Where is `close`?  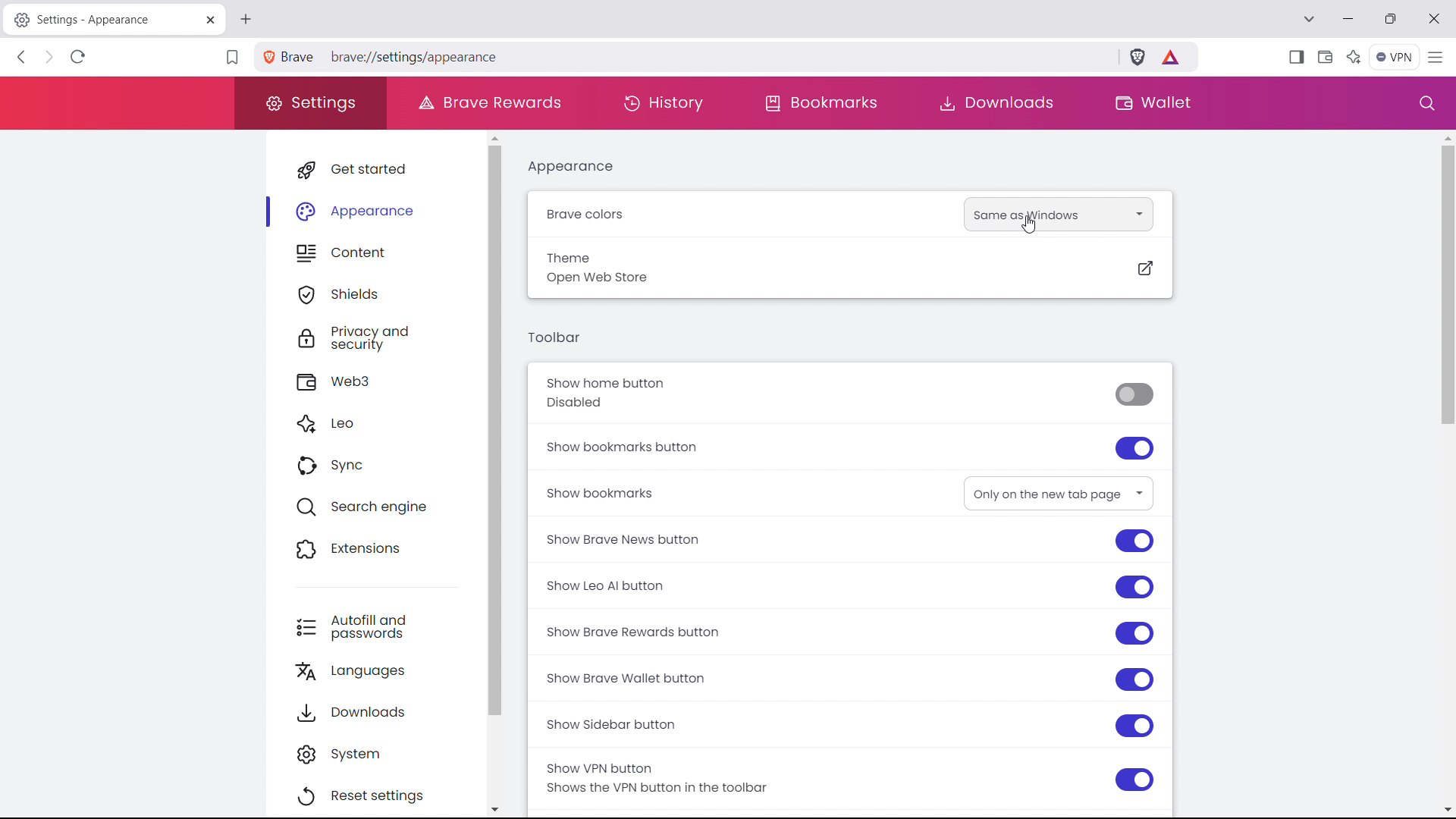 close is located at coordinates (1436, 18).